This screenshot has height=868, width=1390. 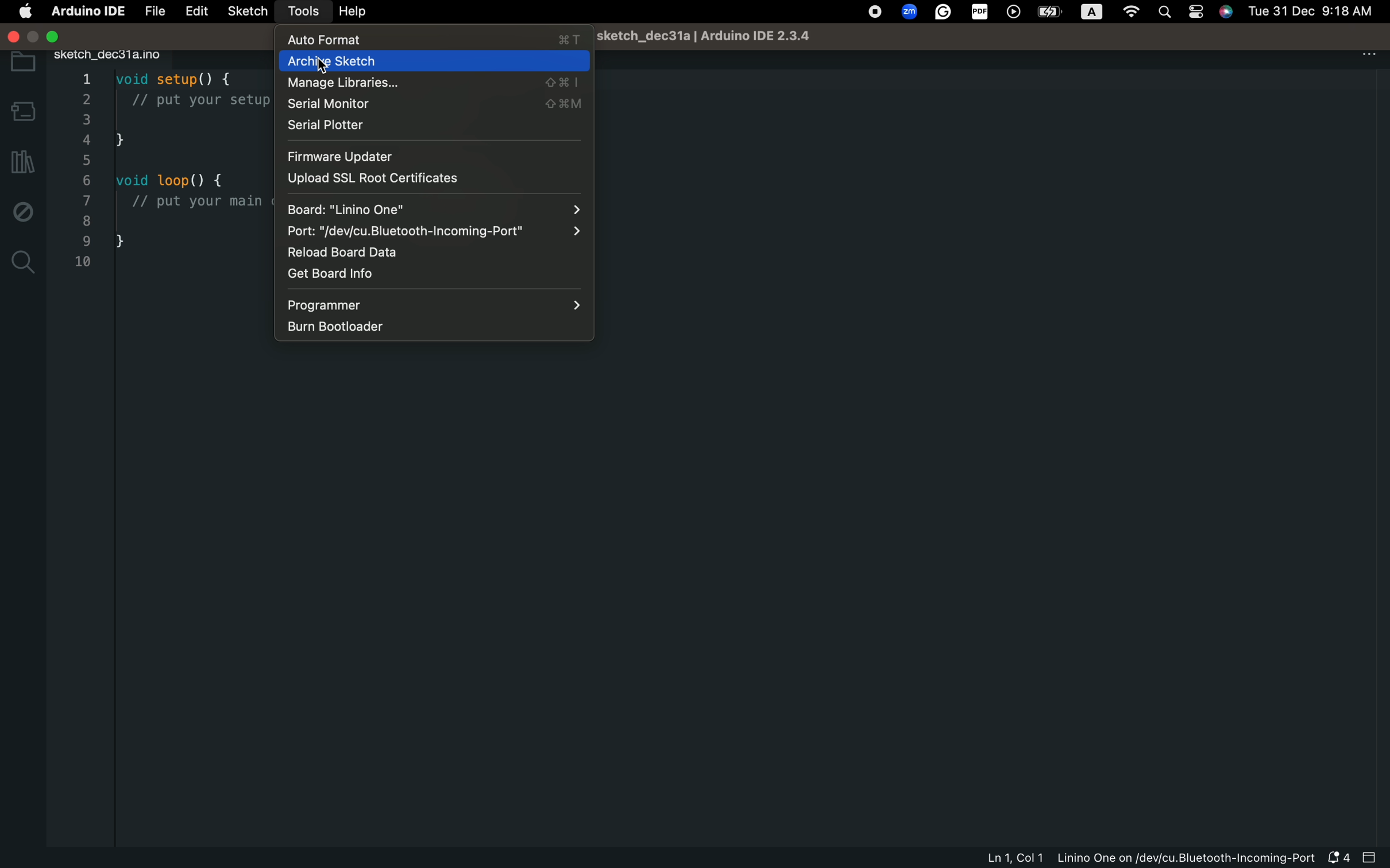 I want to click on firmware updater, so click(x=433, y=157).